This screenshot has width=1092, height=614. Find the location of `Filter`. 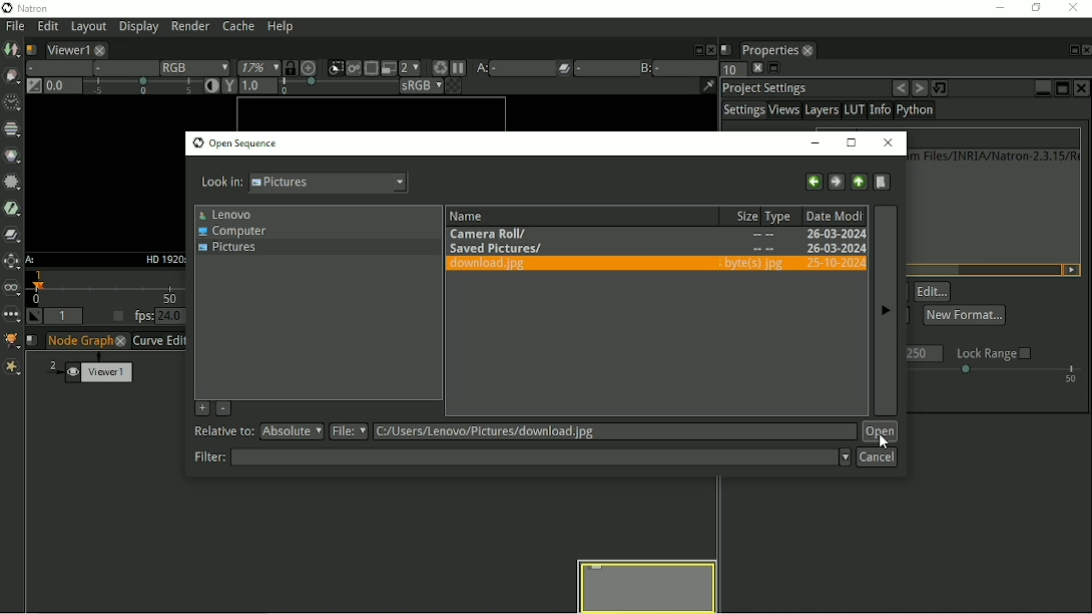

Filter is located at coordinates (11, 181).